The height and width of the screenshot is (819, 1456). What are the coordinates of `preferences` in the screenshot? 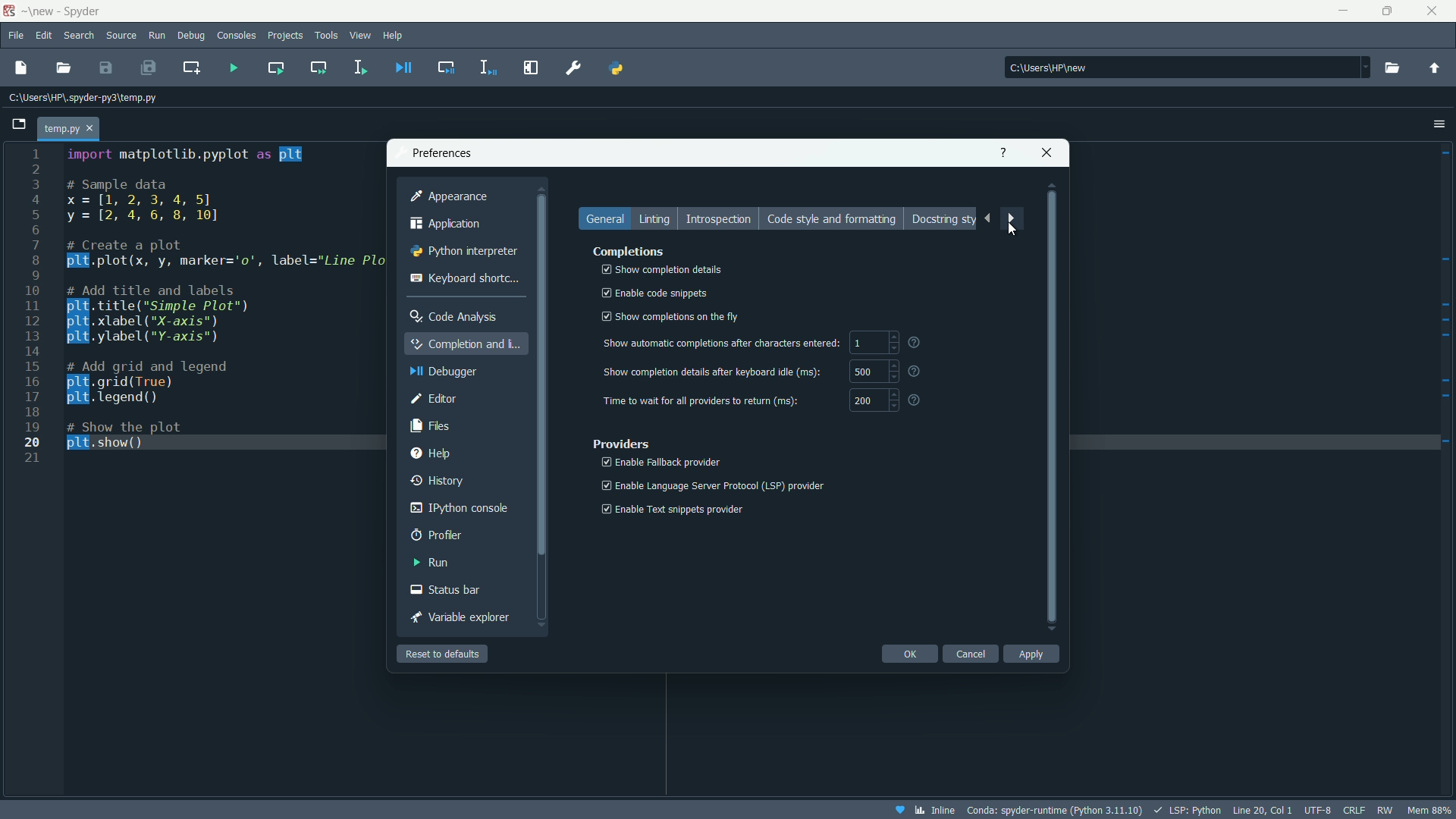 It's located at (441, 152).